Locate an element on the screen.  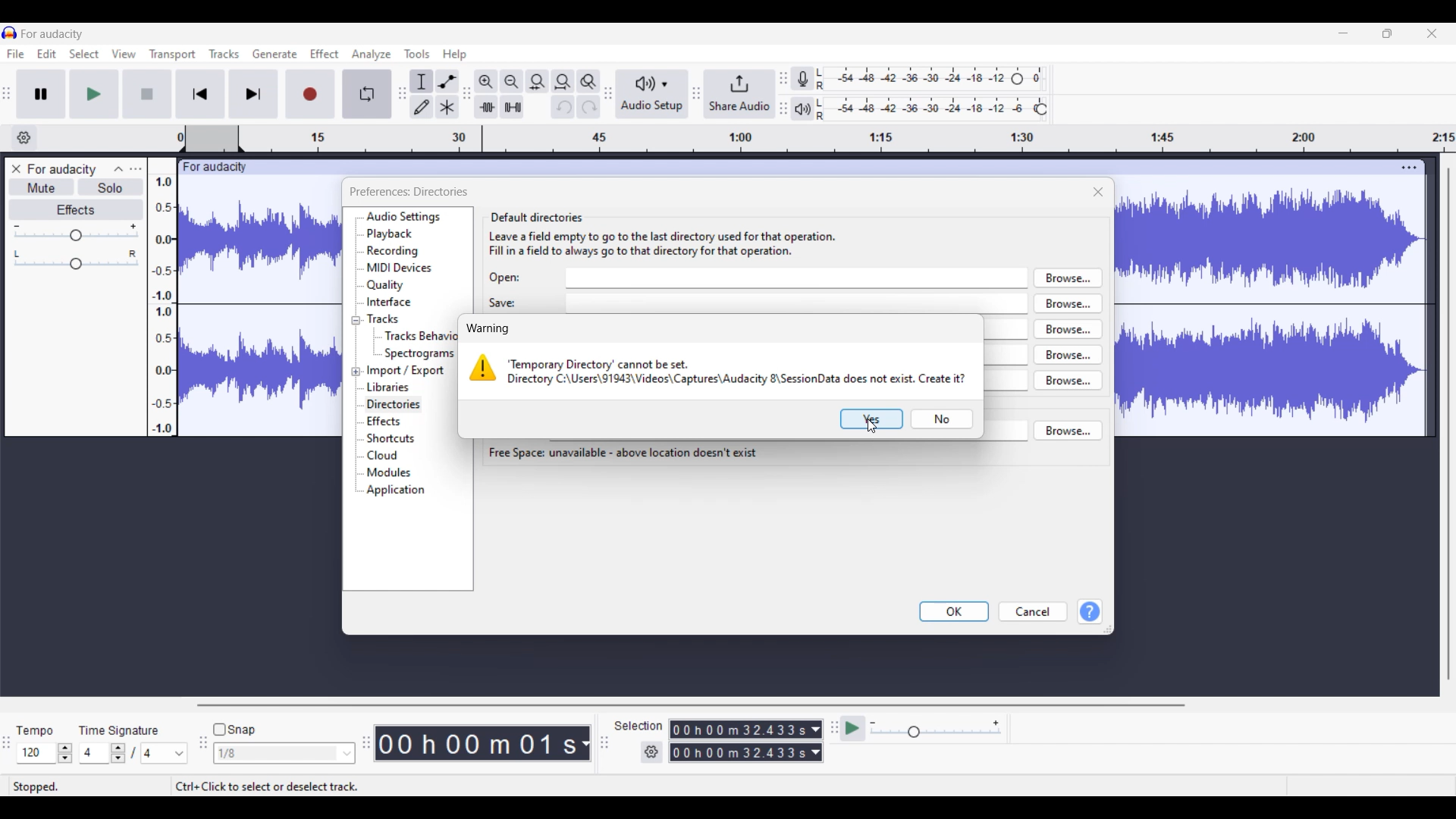
Redo is located at coordinates (588, 106).